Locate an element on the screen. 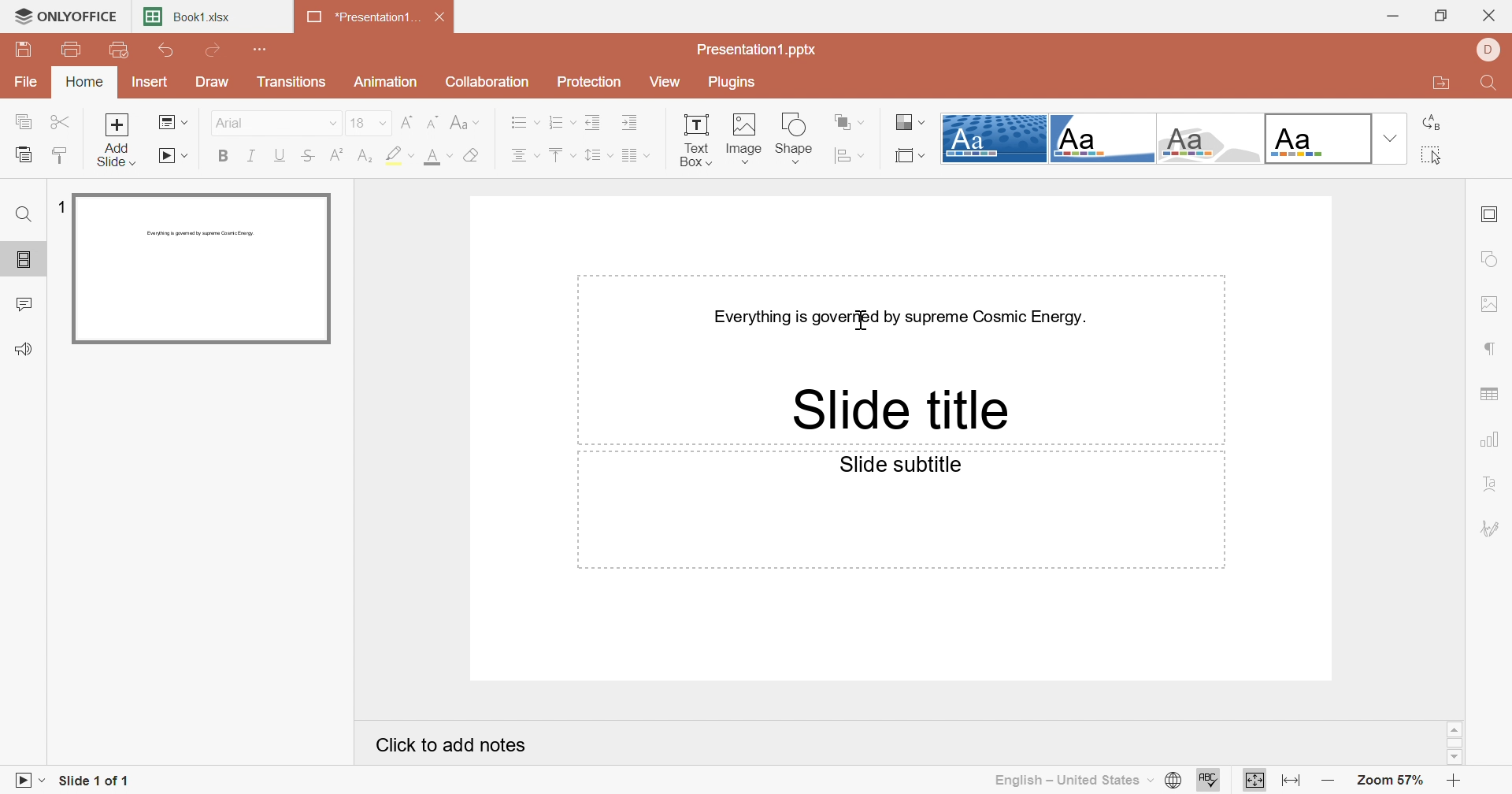 This screenshot has height=794, width=1512. Clear is located at coordinates (475, 155).